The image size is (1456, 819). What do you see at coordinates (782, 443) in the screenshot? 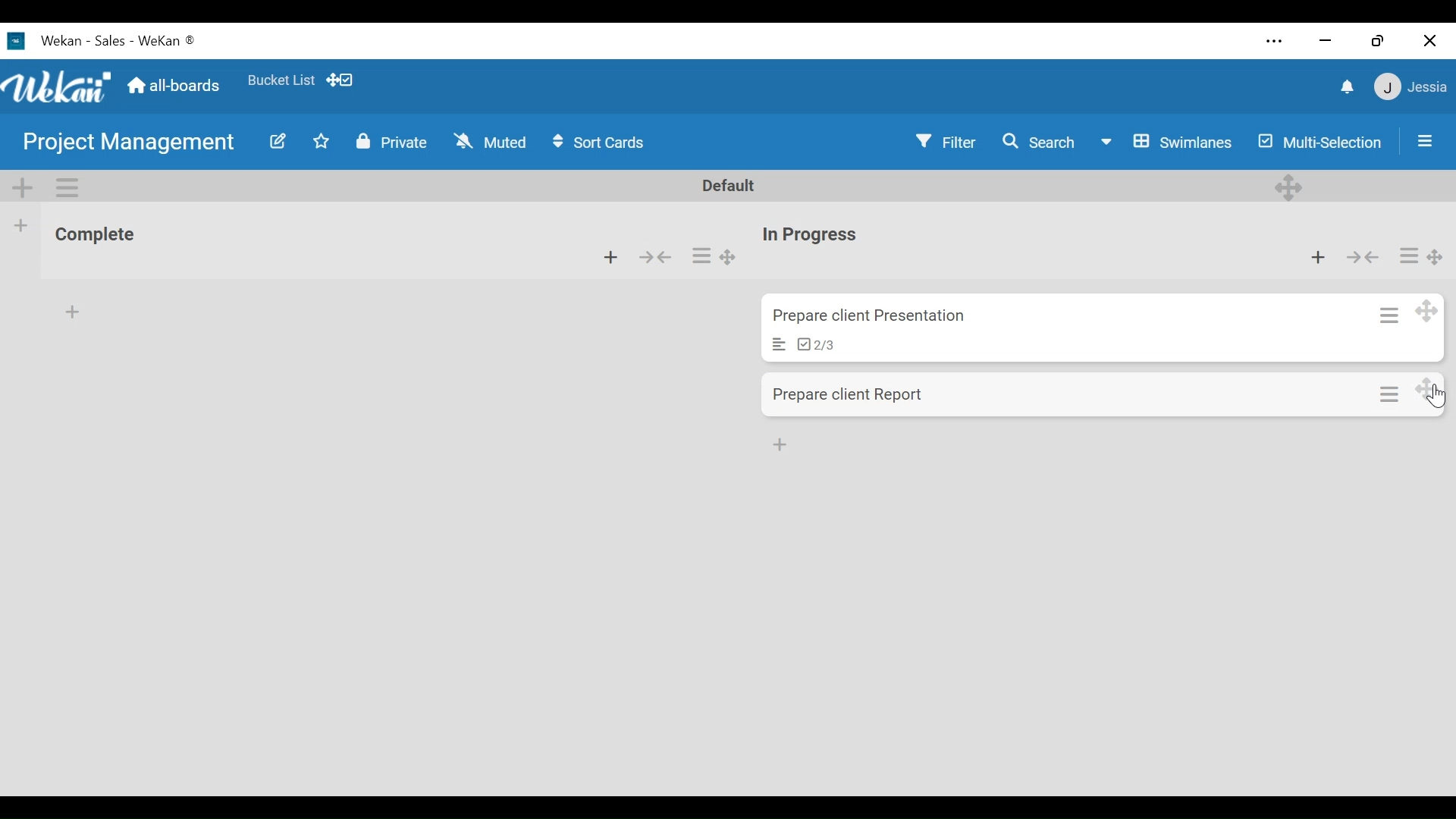
I see `Add card to the bottom of the list` at bounding box center [782, 443].